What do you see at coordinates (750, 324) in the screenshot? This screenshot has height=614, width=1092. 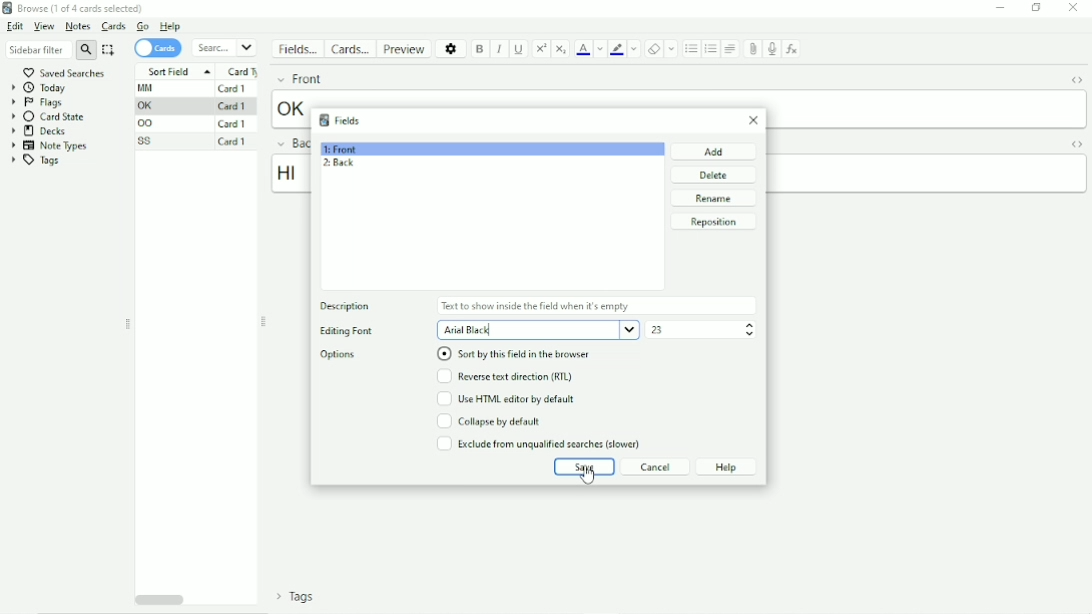 I see `Increment` at bounding box center [750, 324].